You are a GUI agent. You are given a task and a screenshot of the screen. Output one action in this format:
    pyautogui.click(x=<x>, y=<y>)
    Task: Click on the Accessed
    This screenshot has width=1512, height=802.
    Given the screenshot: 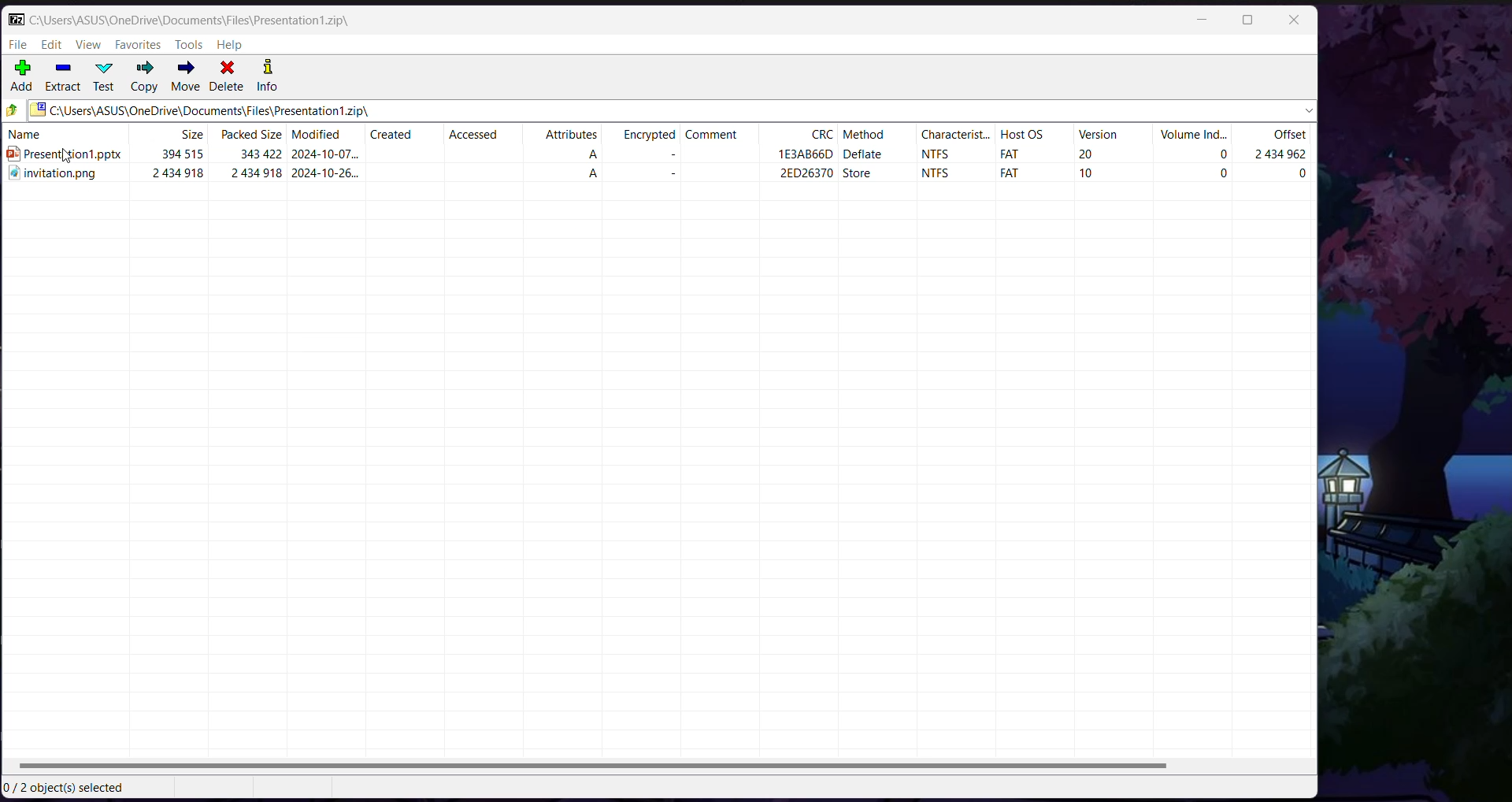 What is the action you would take?
    pyautogui.click(x=473, y=136)
    